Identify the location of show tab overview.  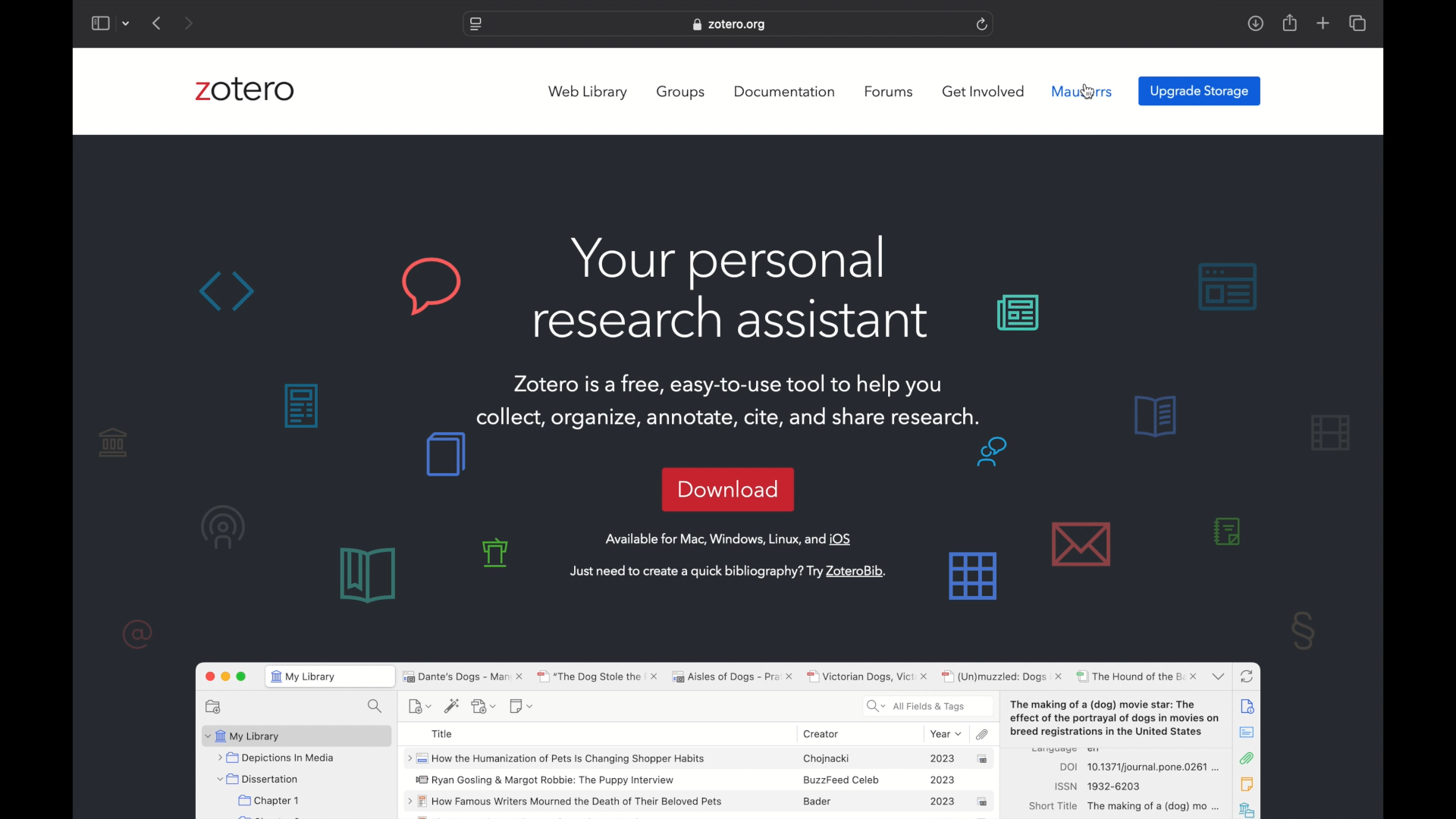
(1359, 23).